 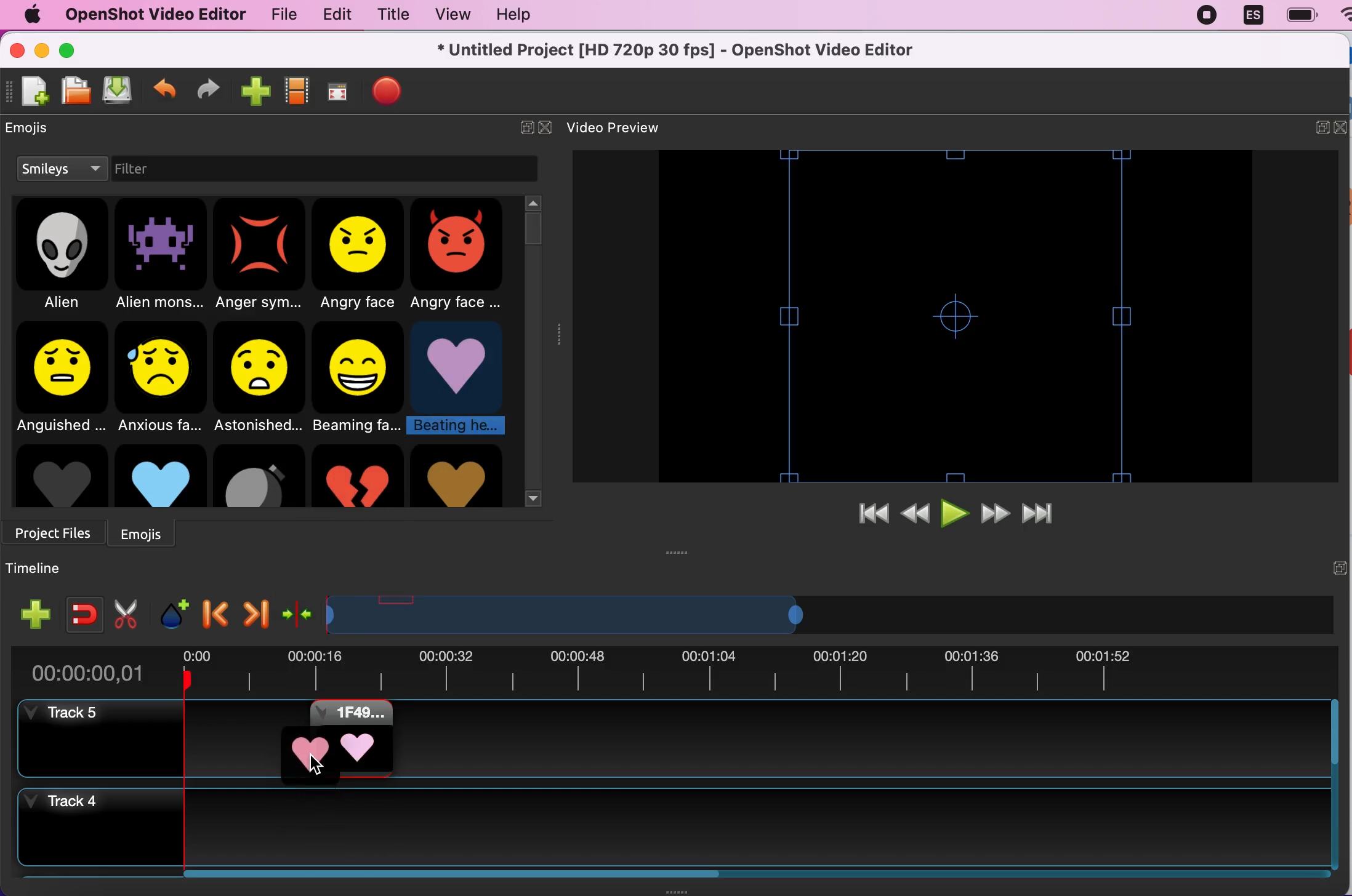 What do you see at coordinates (209, 89) in the screenshot?
I see `redo` at bounding box center [209, 89].